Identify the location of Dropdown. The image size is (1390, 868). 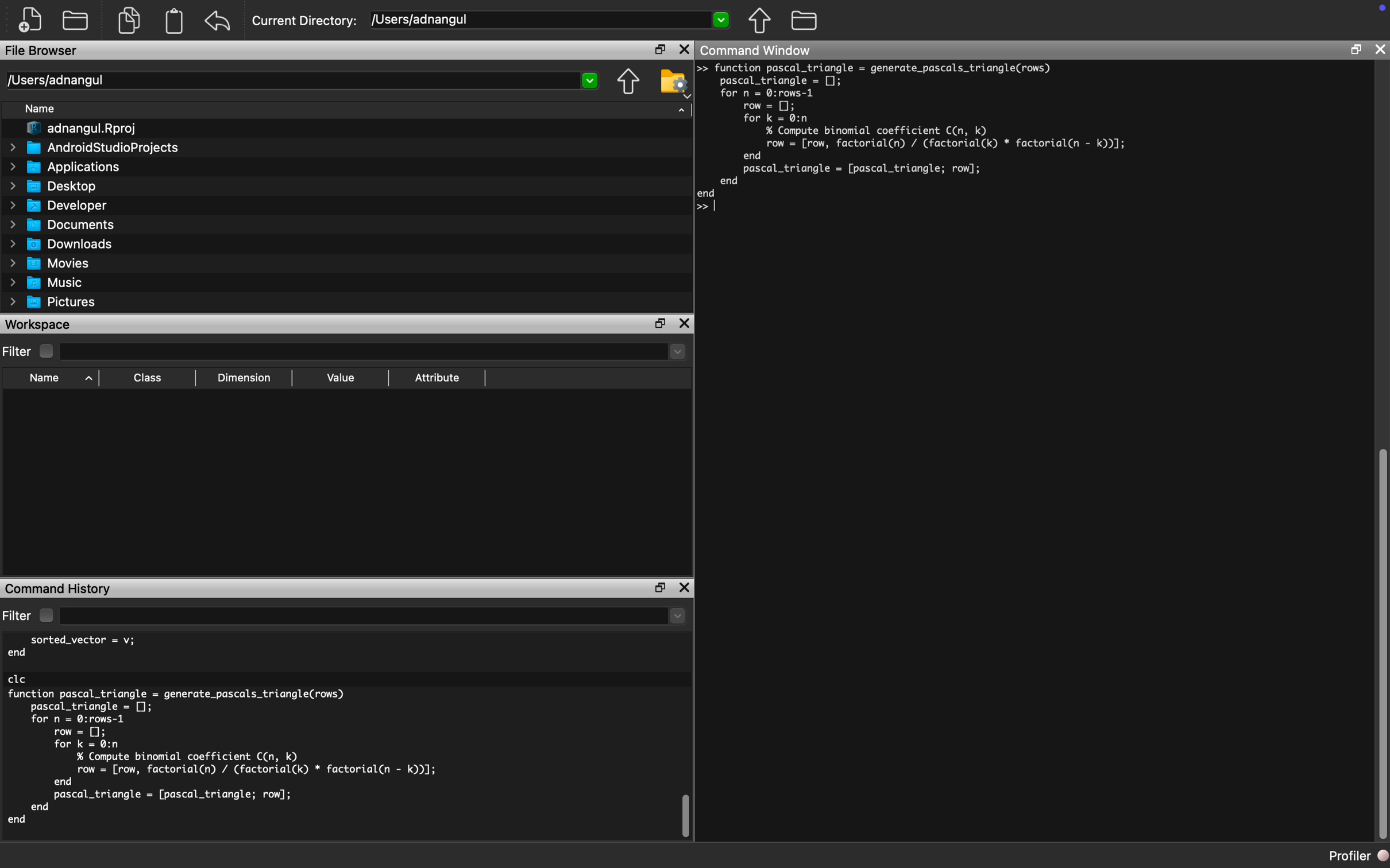
(373, 617).